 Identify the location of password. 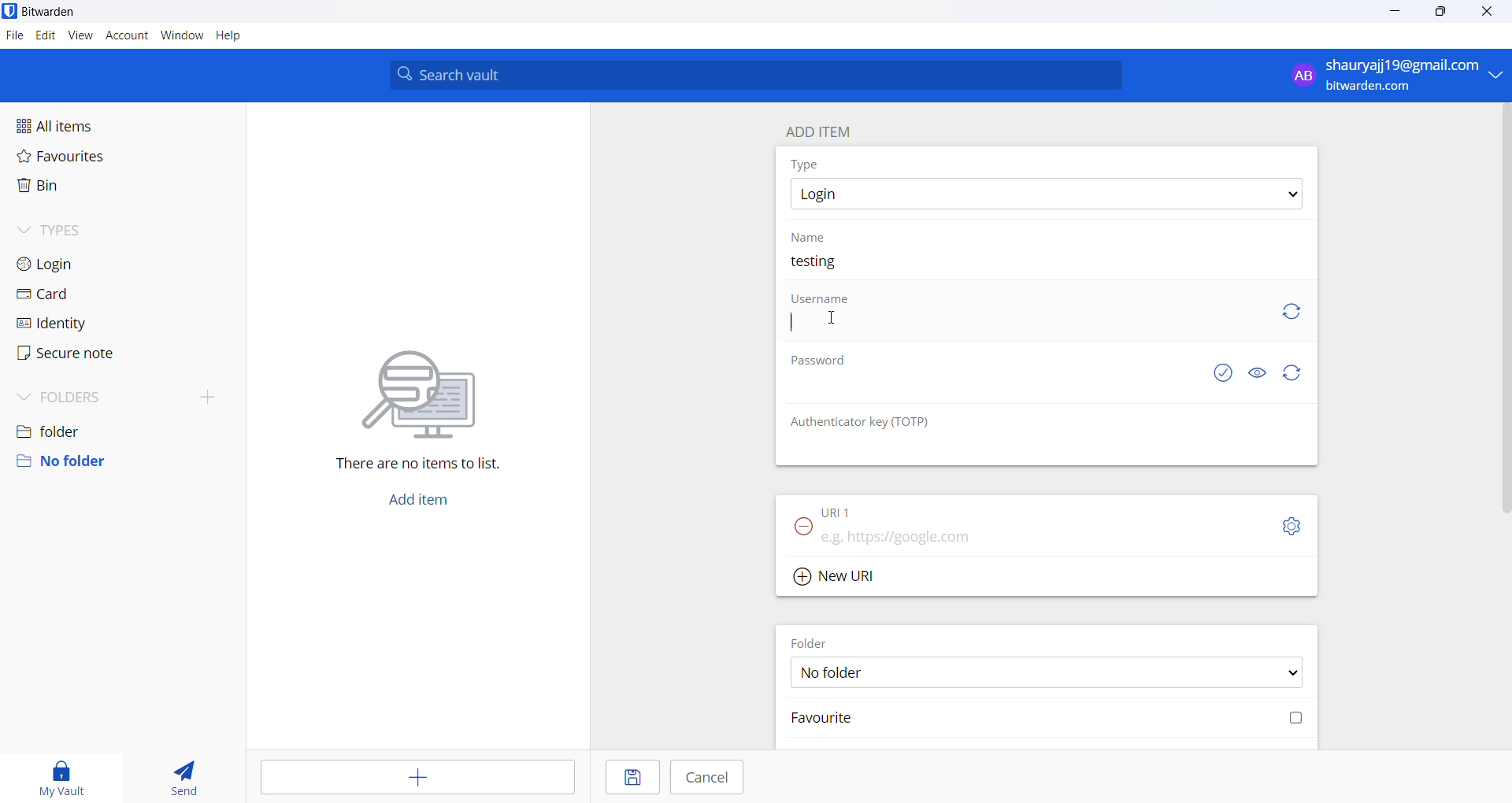
(826, 361).